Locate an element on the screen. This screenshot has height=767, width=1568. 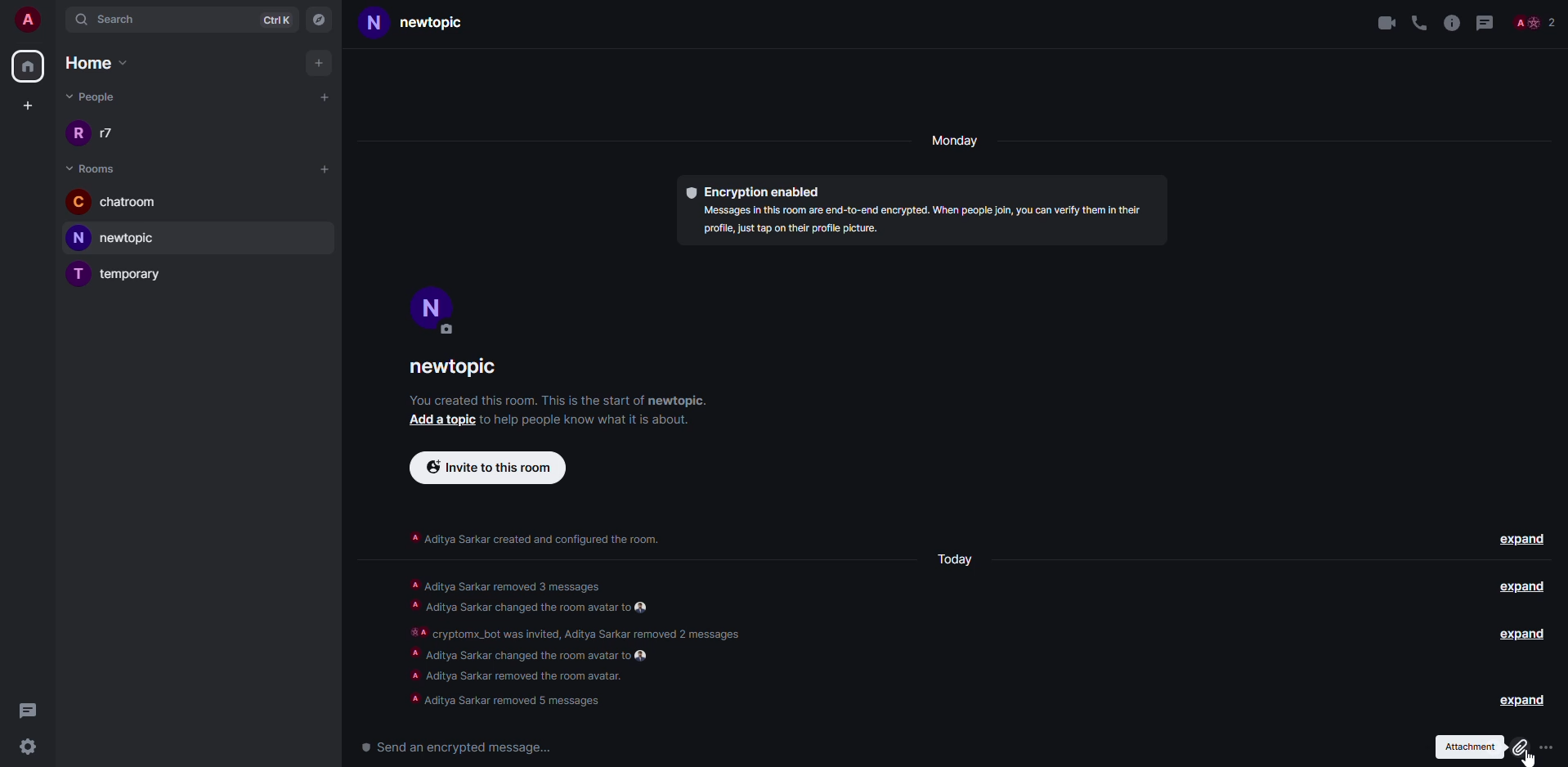
attachment is located at coordinates (1465, 749).